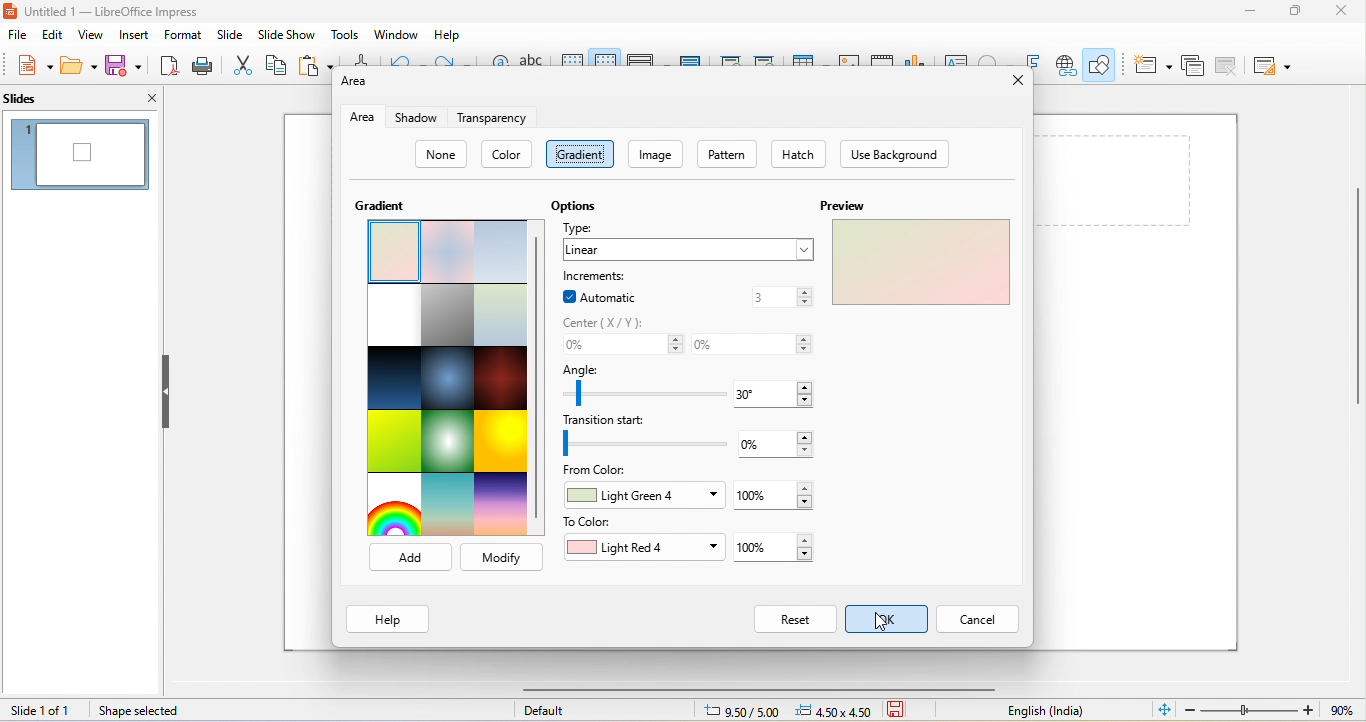 The width and height of the screenshot is (1366, 722). Describe the element at coordinates (287, 34) in the screenshot. I see `slideshow` at that location.